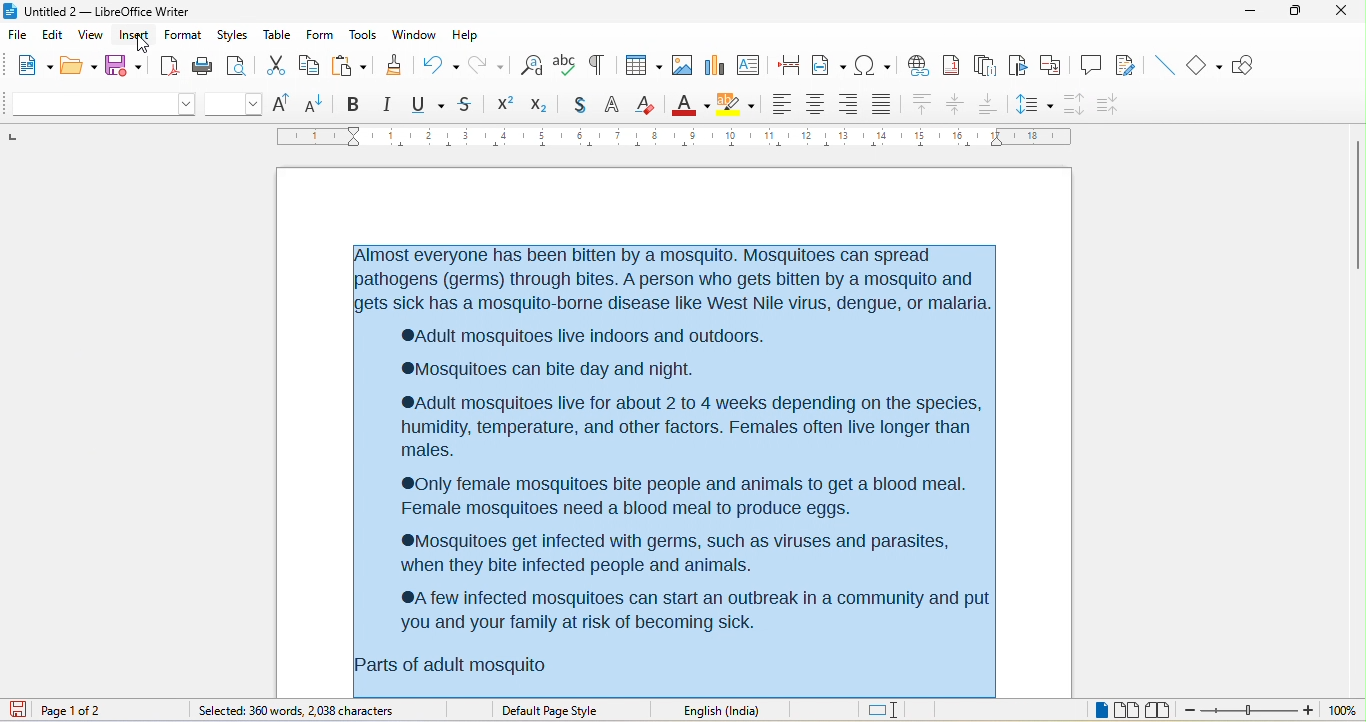 This screenshot has height=722, width=1366. Describe the element at coordinates (1126, 710) in the screenshot. I see `multiple page view` at that location.